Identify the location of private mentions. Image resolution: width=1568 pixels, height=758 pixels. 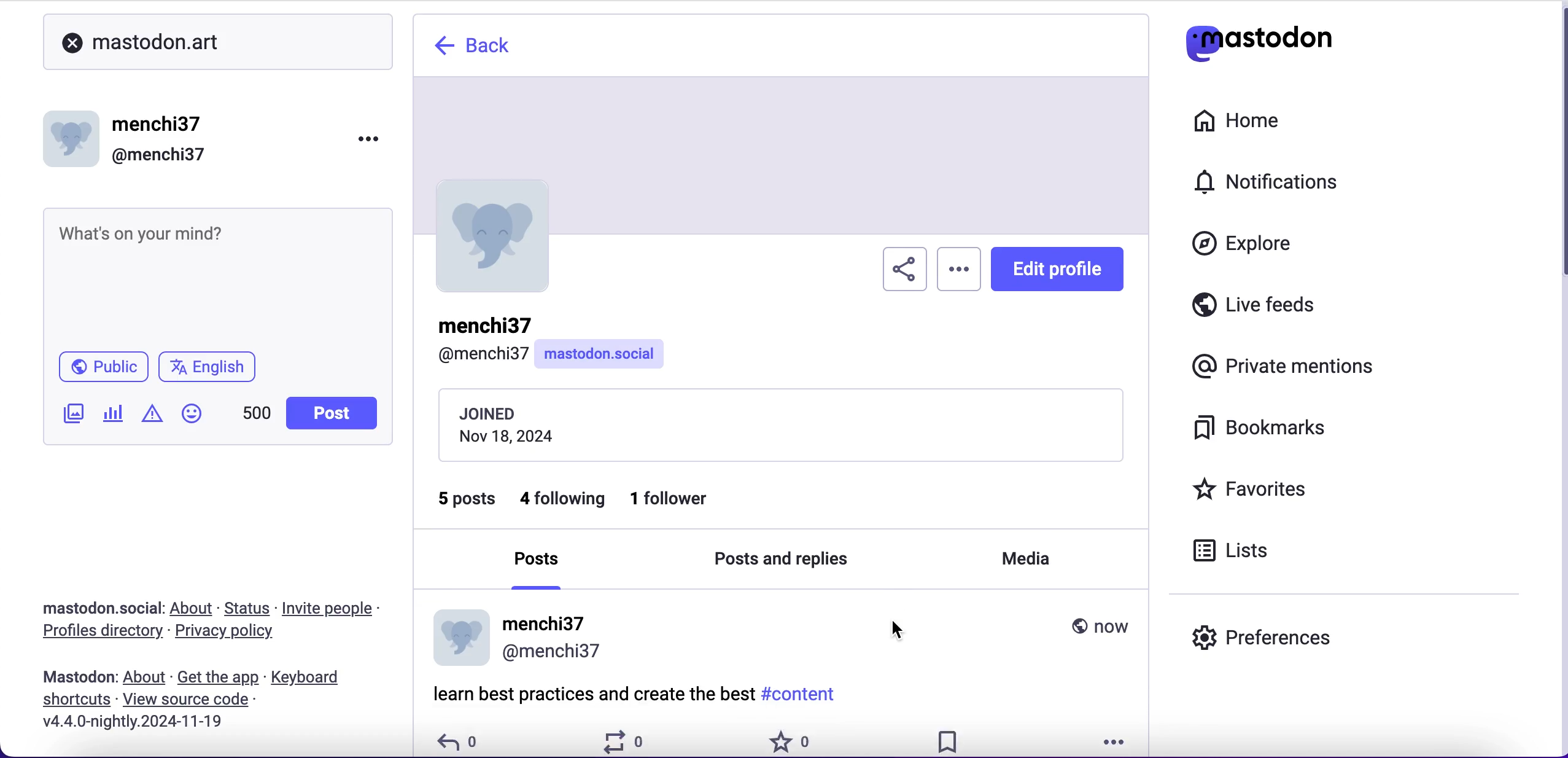
(1278, 367).